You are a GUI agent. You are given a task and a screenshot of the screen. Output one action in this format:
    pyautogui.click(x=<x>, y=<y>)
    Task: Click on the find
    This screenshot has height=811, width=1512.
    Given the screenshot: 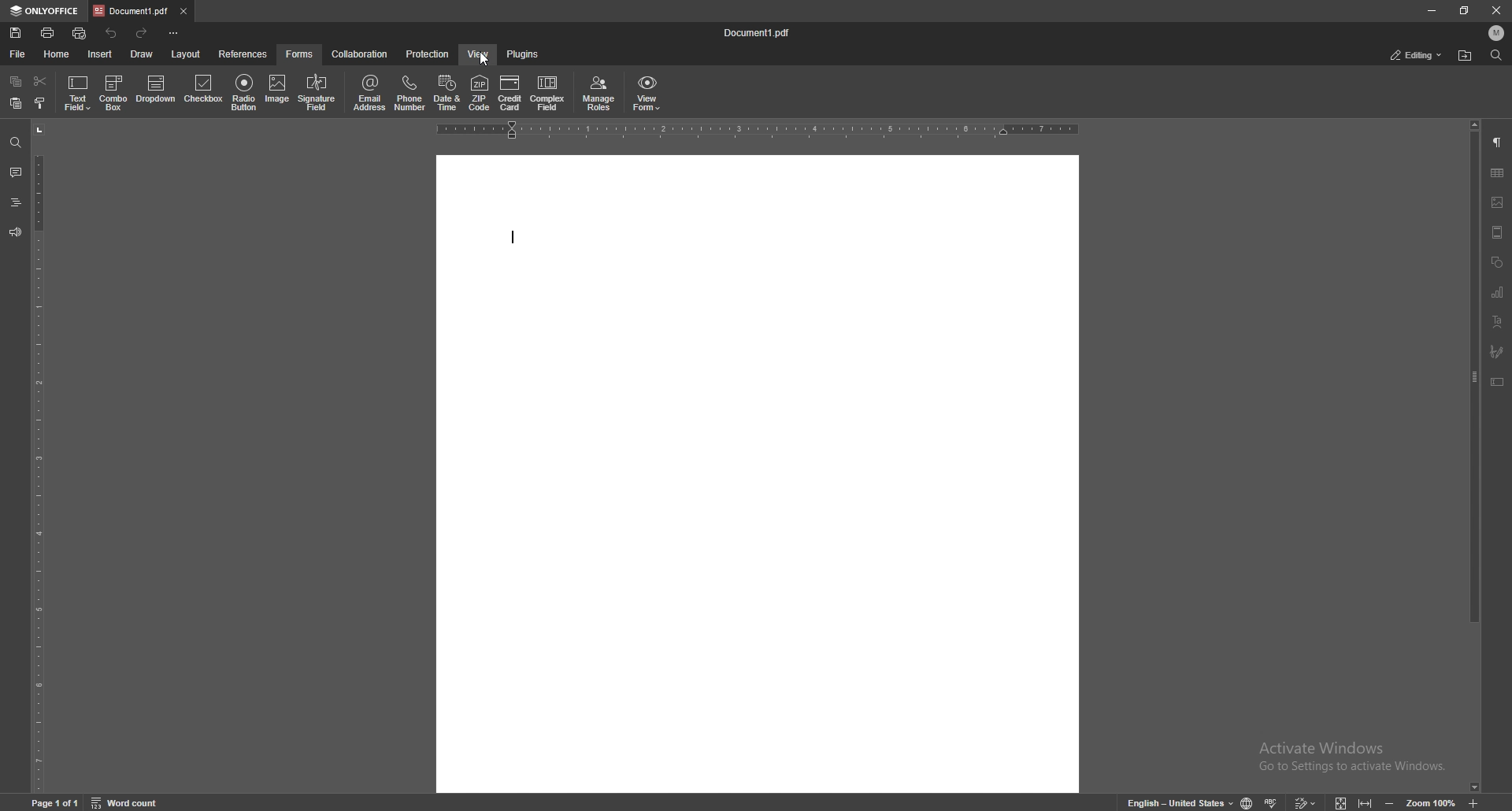 What is the action you would take?
    pyautogui.click(x=1496, y=55)
    